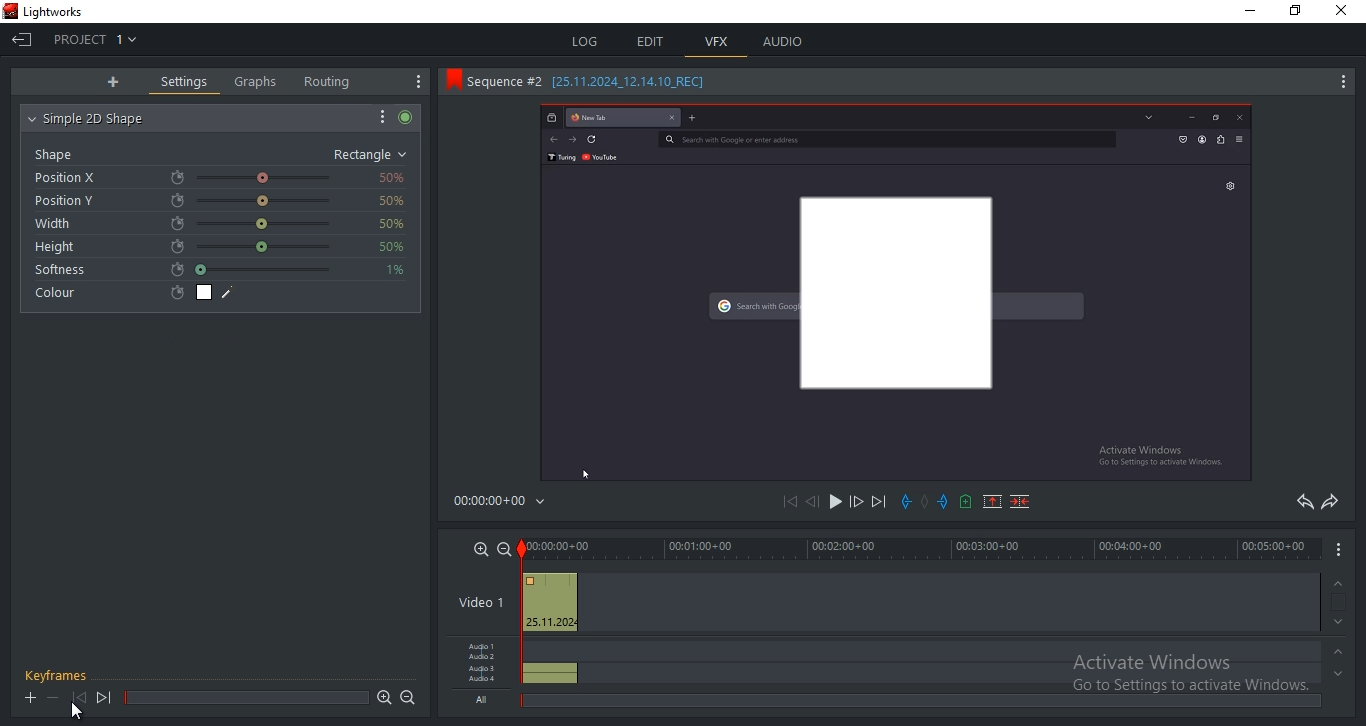 This screenshot has height=726, width=1366. Describe the element at coordinates (652, 41) in the screenshot. I see `edit` at that location.